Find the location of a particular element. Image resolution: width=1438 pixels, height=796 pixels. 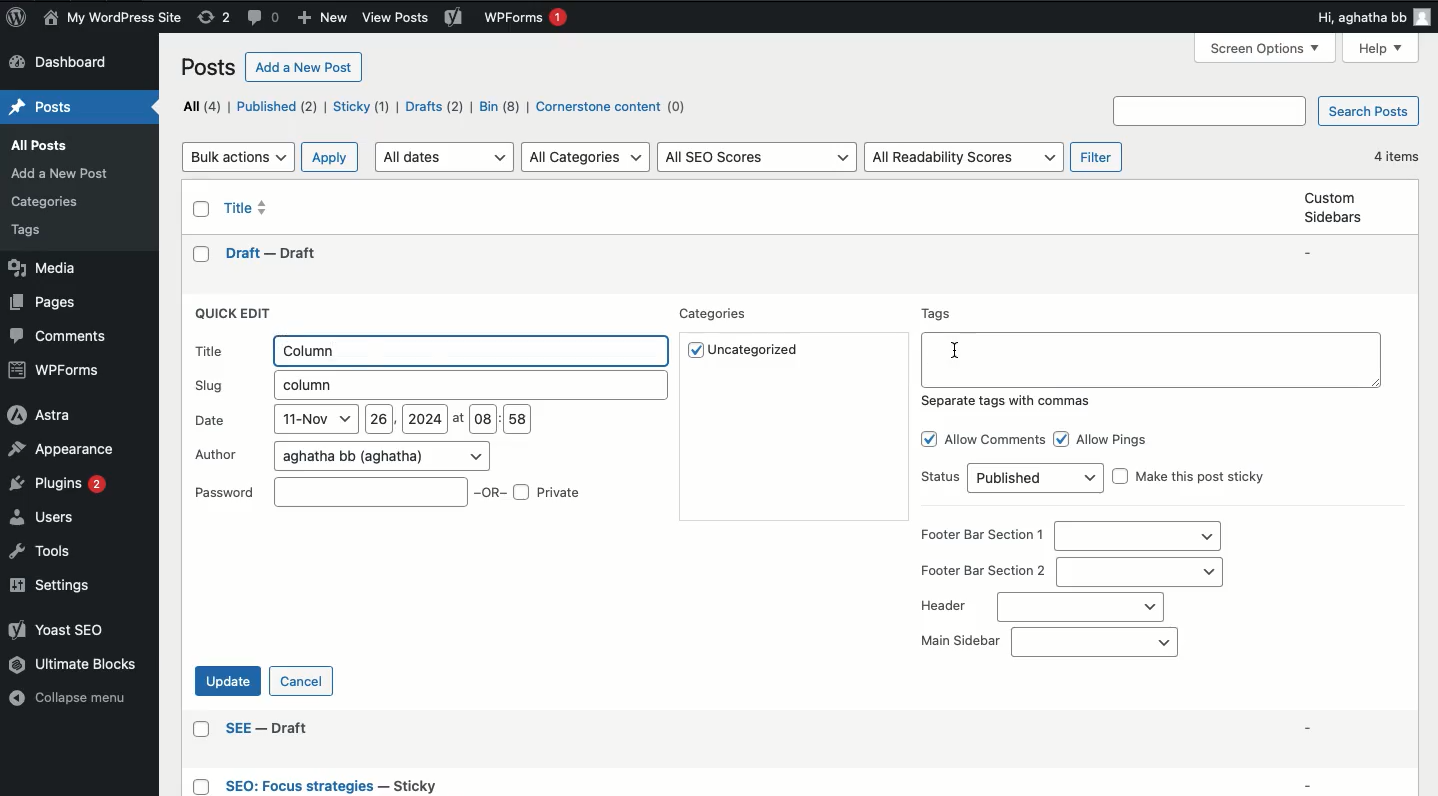

Users is located at coordinates (44, 519).